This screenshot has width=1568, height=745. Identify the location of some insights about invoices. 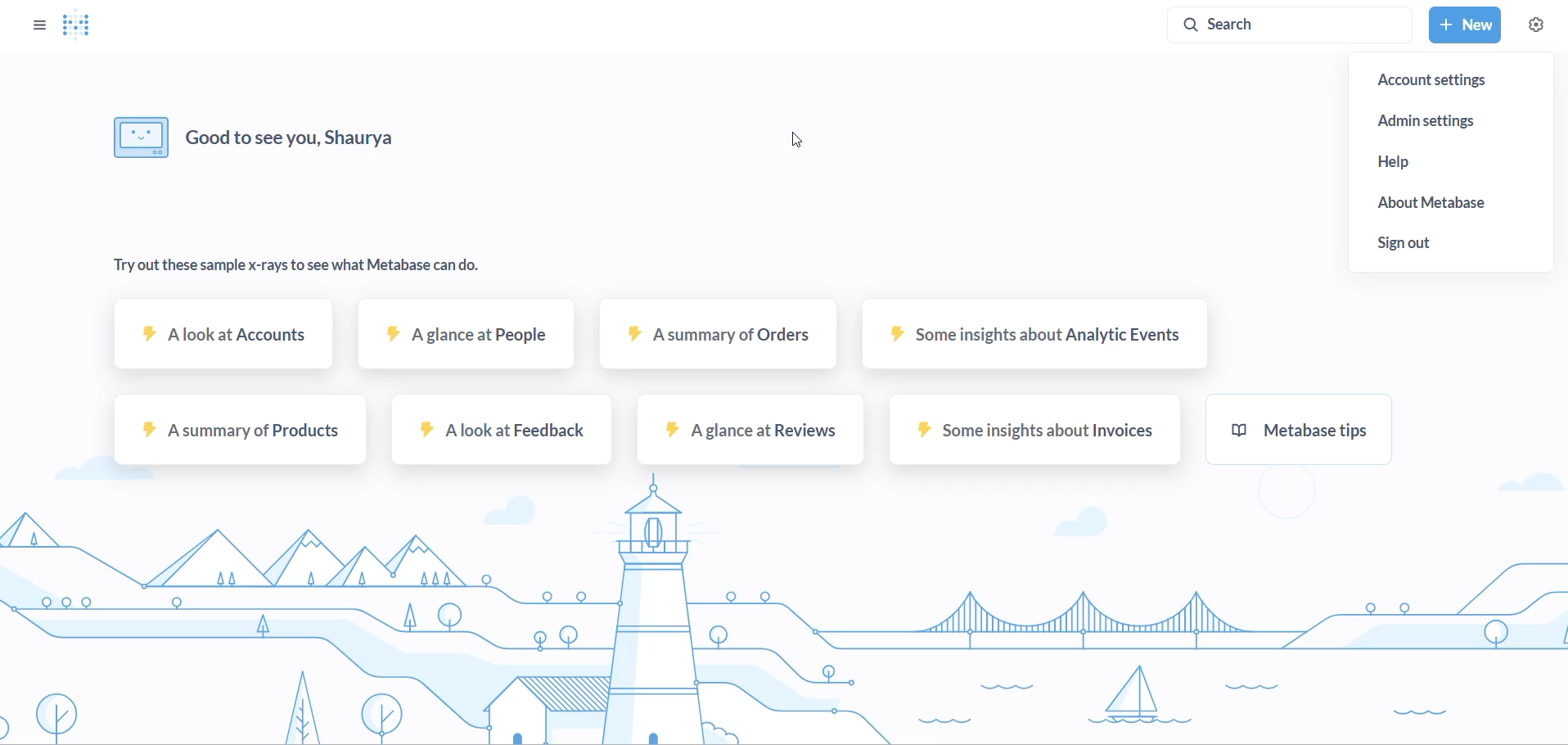
(1030, 436).